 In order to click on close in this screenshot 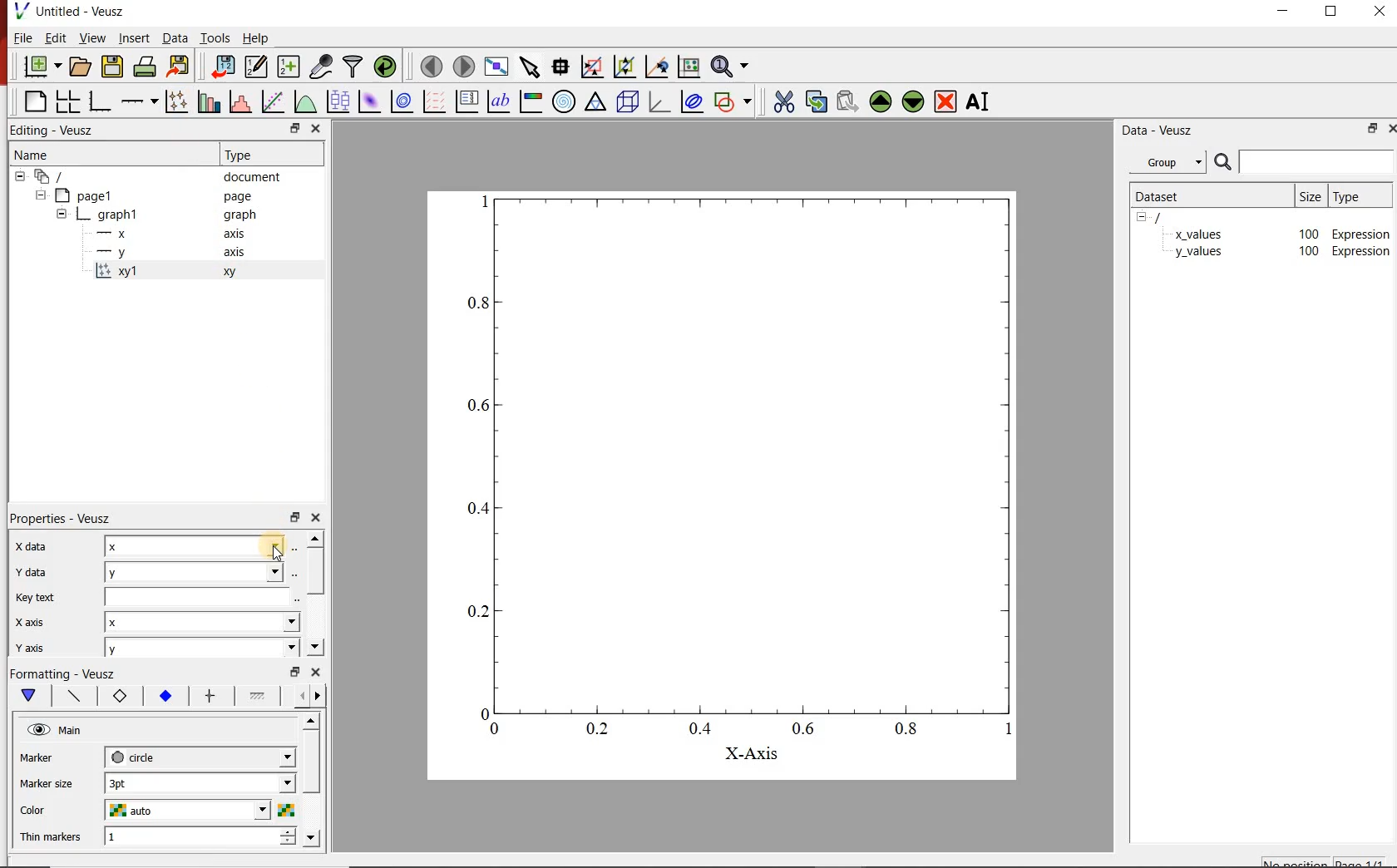, I will do `click(316, 671)`.